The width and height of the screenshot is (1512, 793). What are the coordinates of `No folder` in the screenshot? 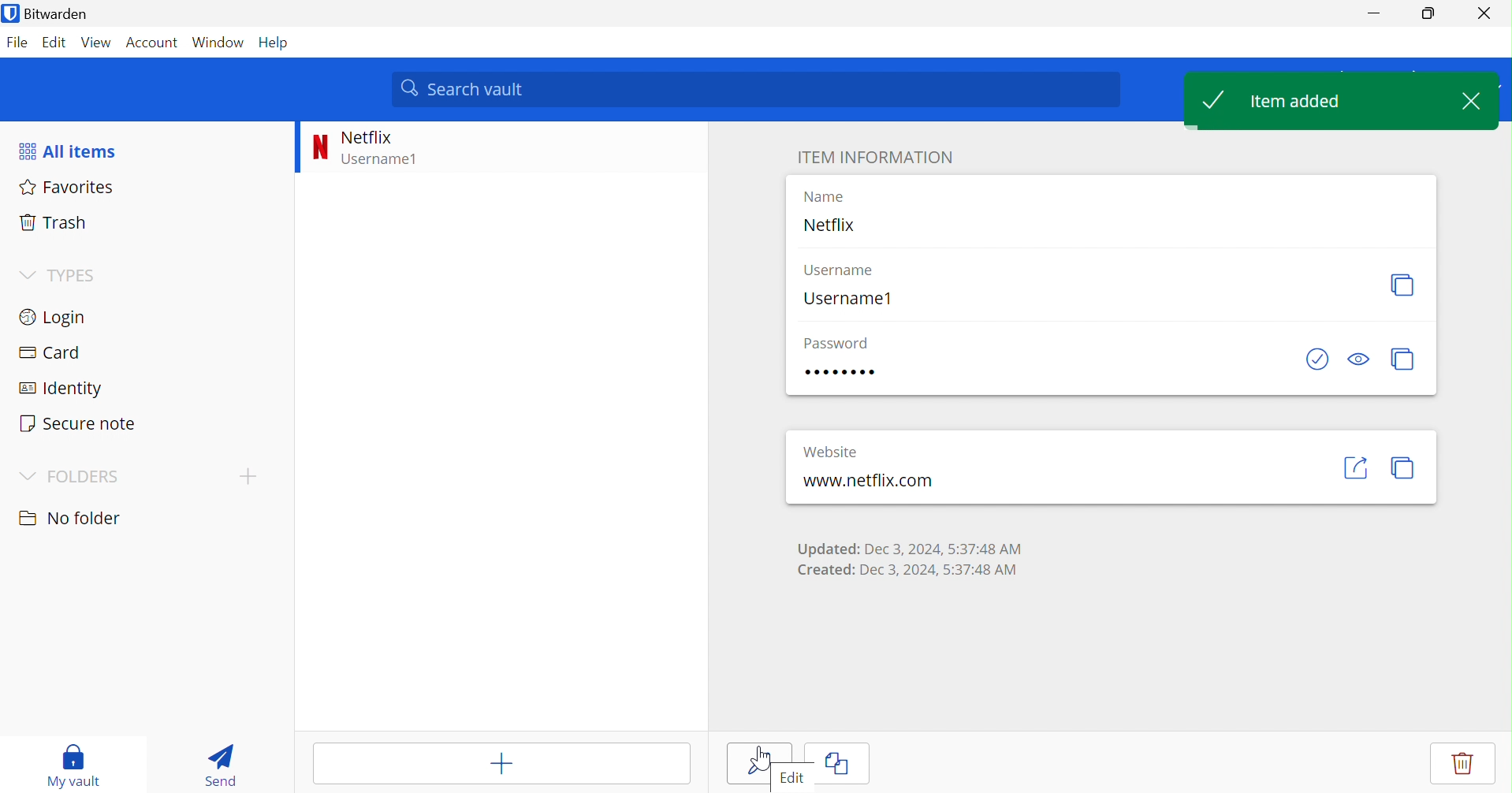 It's located at (70, 518).